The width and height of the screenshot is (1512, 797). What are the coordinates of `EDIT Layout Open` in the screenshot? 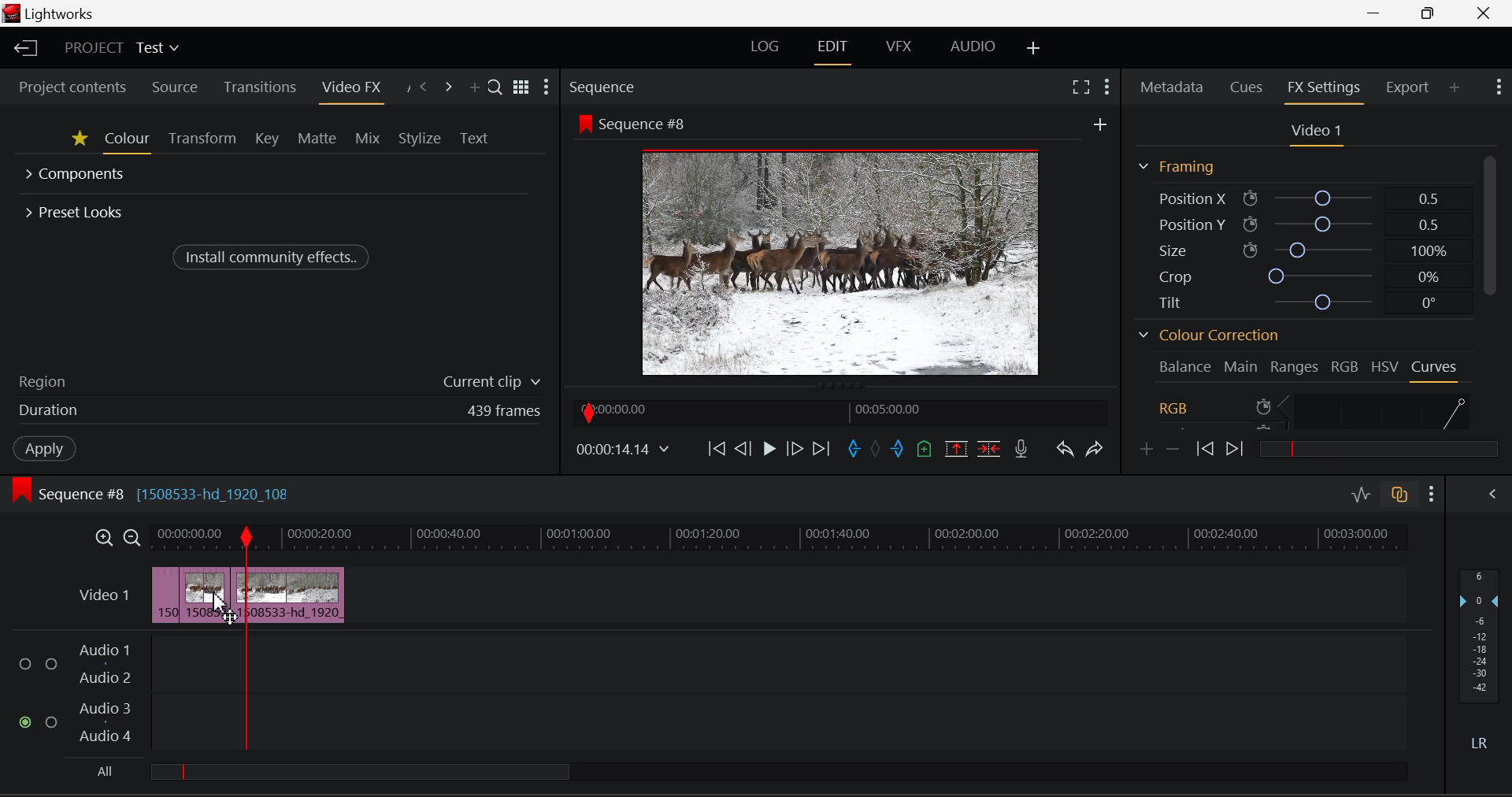 It's located at (835, 48).